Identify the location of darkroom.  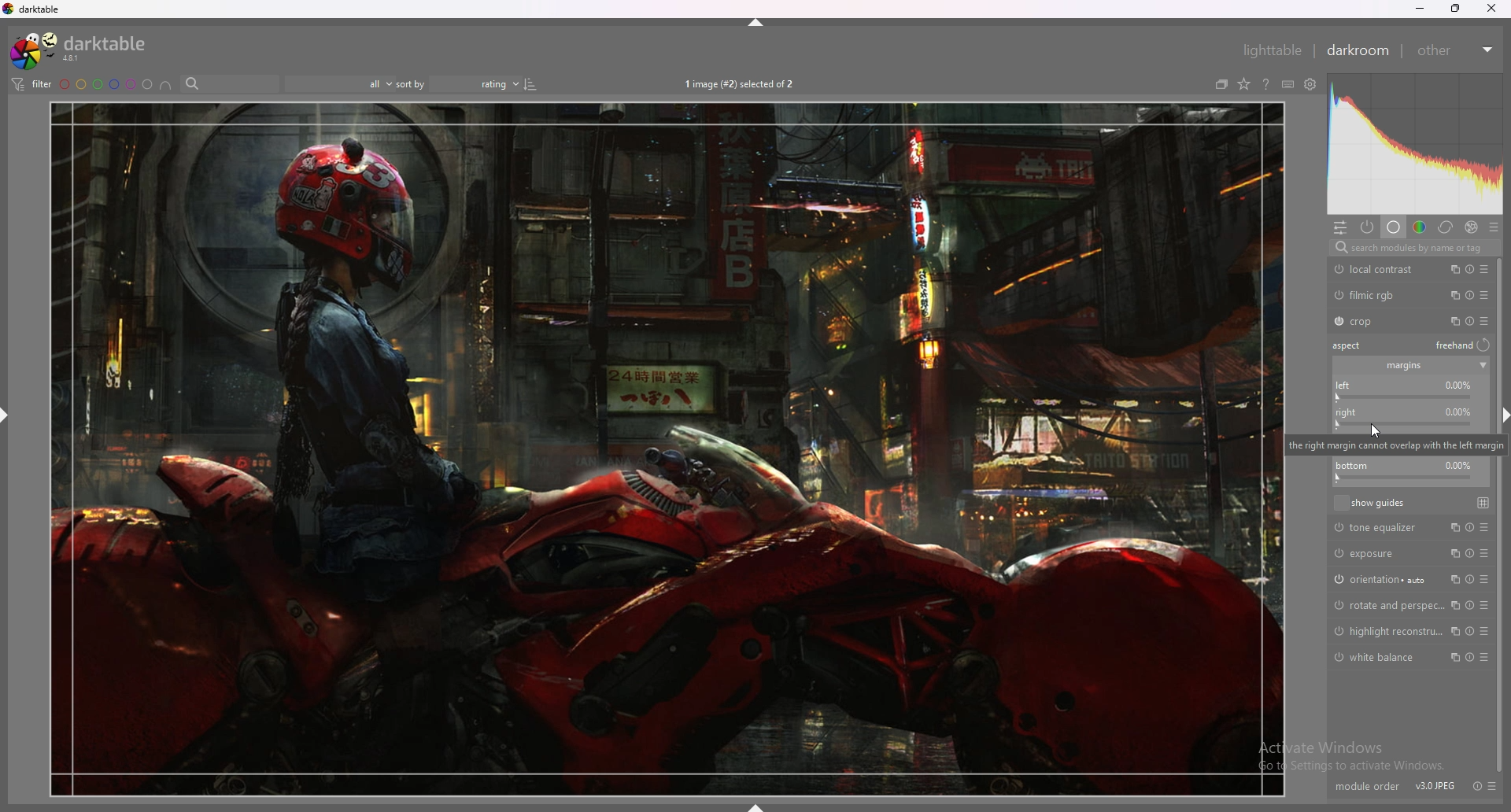
(1358, 50).